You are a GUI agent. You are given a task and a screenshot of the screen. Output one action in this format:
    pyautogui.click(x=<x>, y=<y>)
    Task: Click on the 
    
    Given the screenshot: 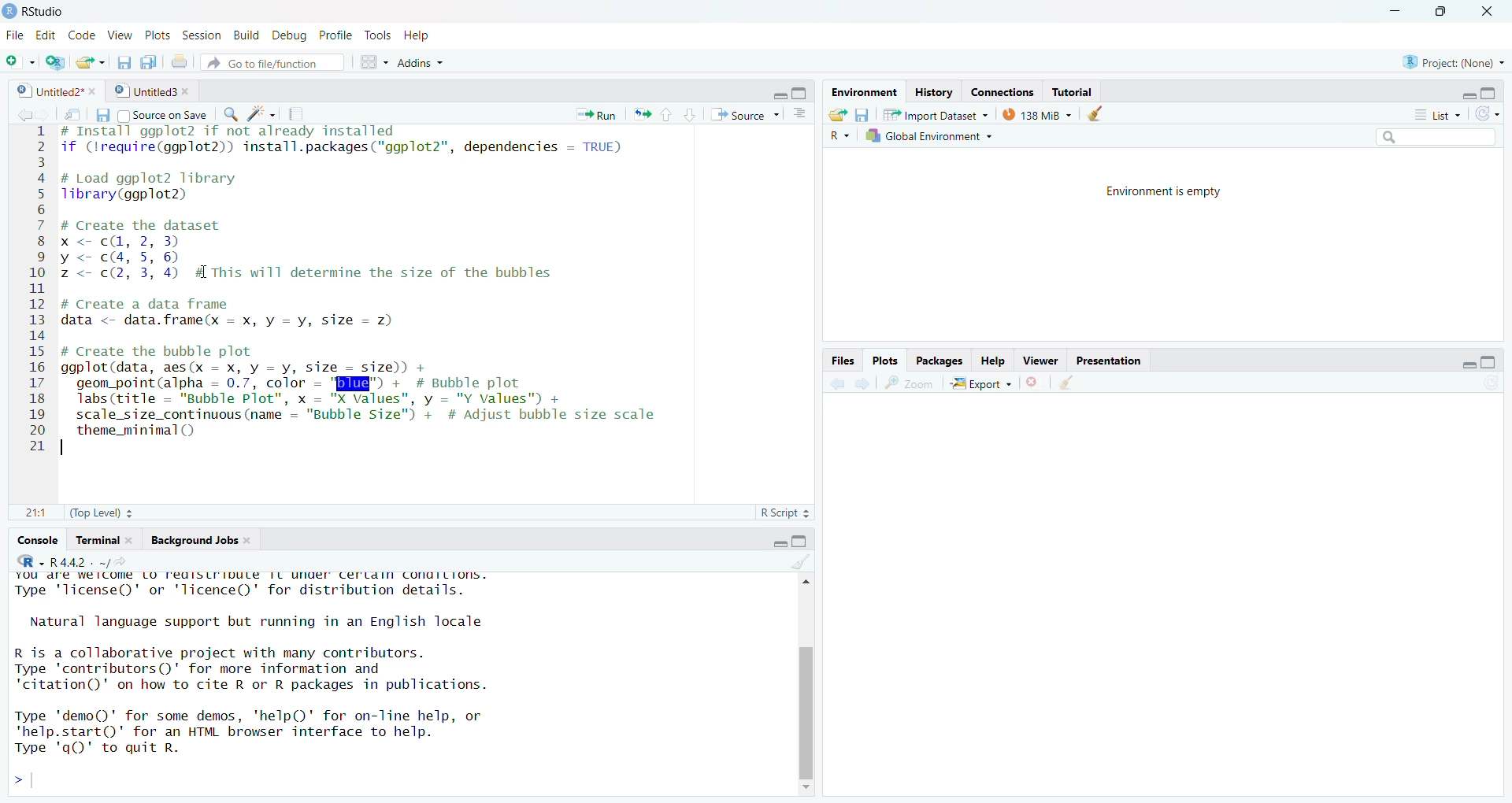 What is the action you would take?
    pyautogui.click(x=13, y=36)
    